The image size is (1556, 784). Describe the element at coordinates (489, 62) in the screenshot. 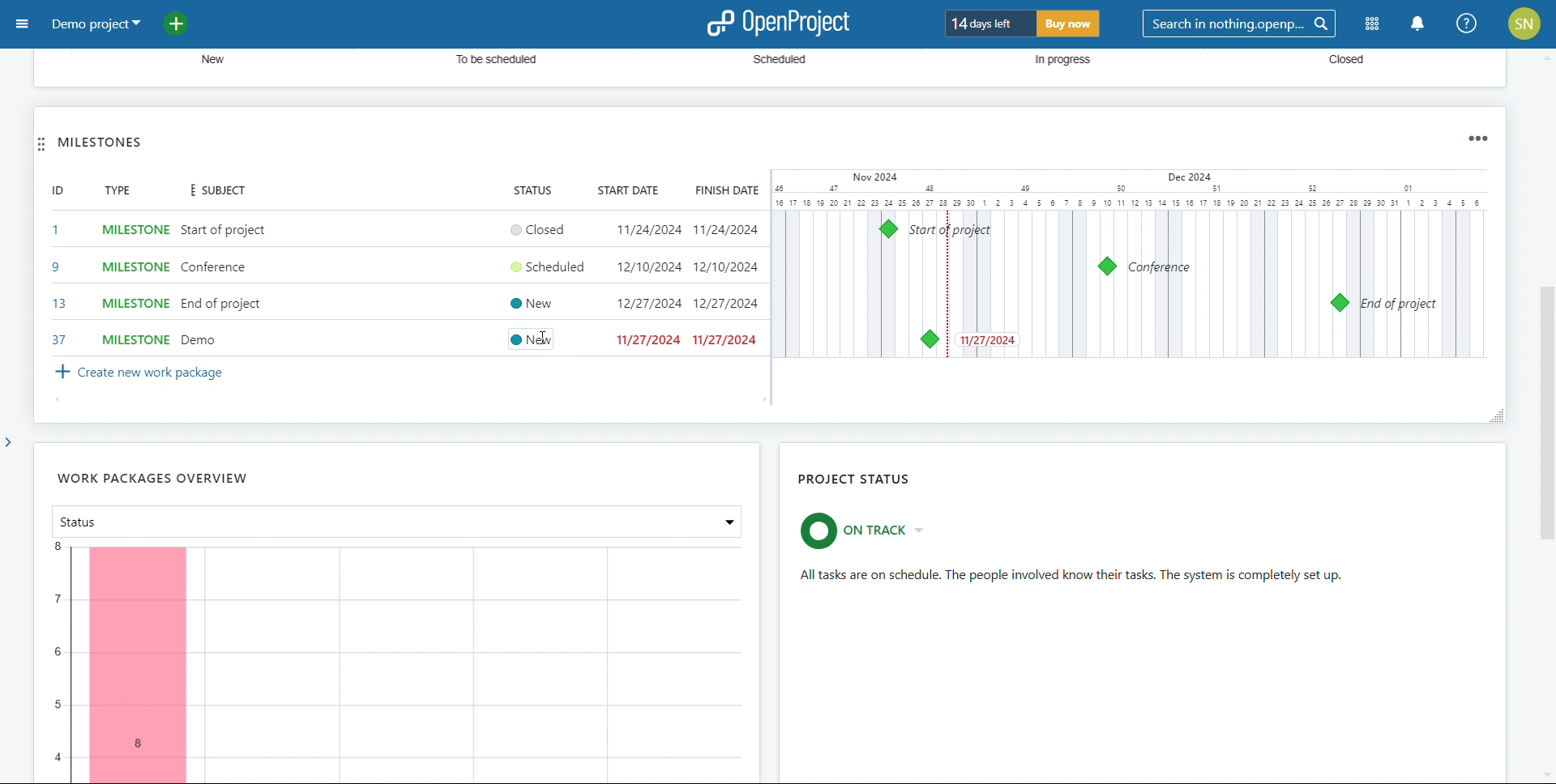

I see `To be scheduled` at that location.